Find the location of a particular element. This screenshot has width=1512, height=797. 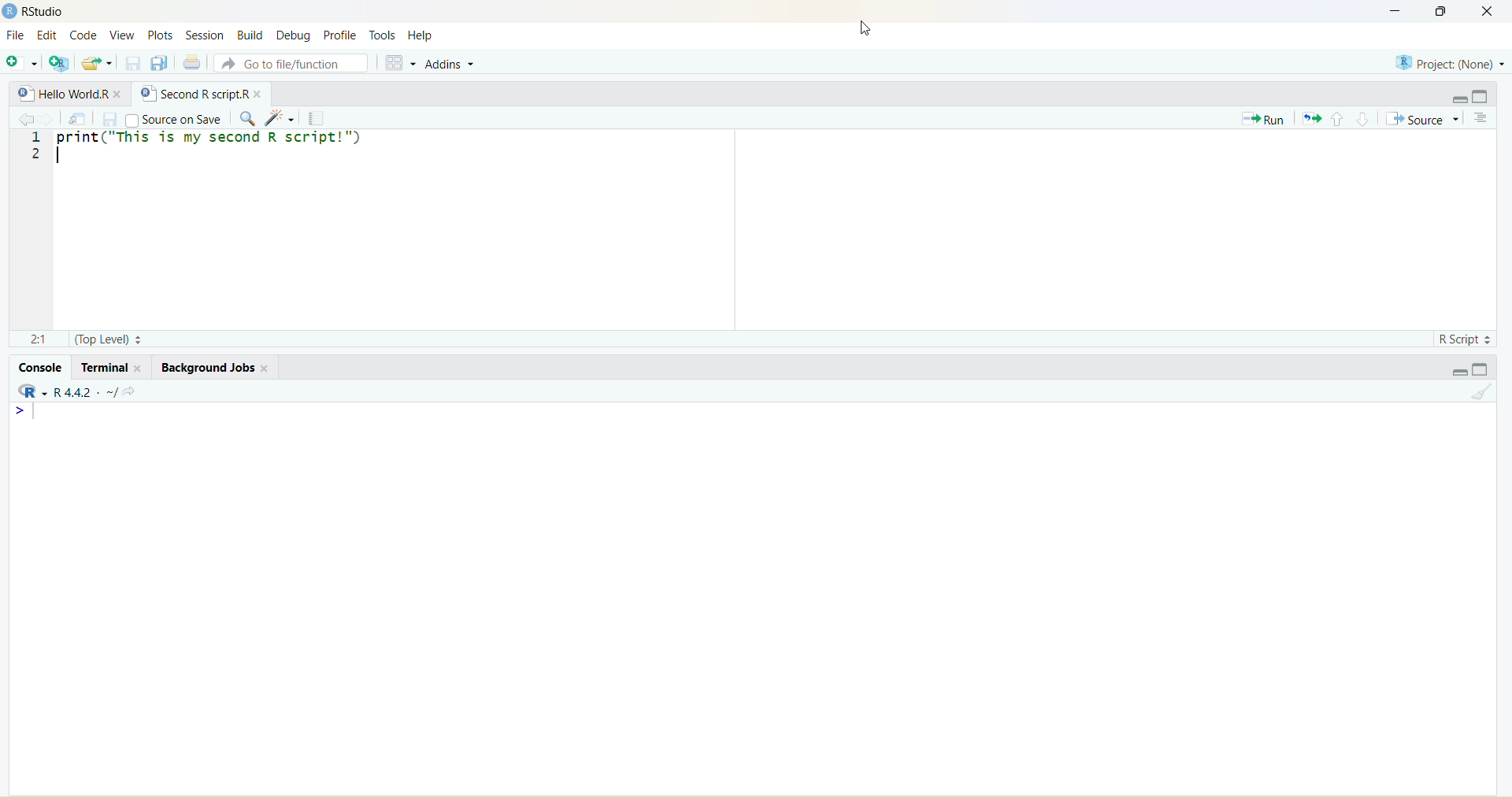

Hello World.R is located at coordinates (82, 94).